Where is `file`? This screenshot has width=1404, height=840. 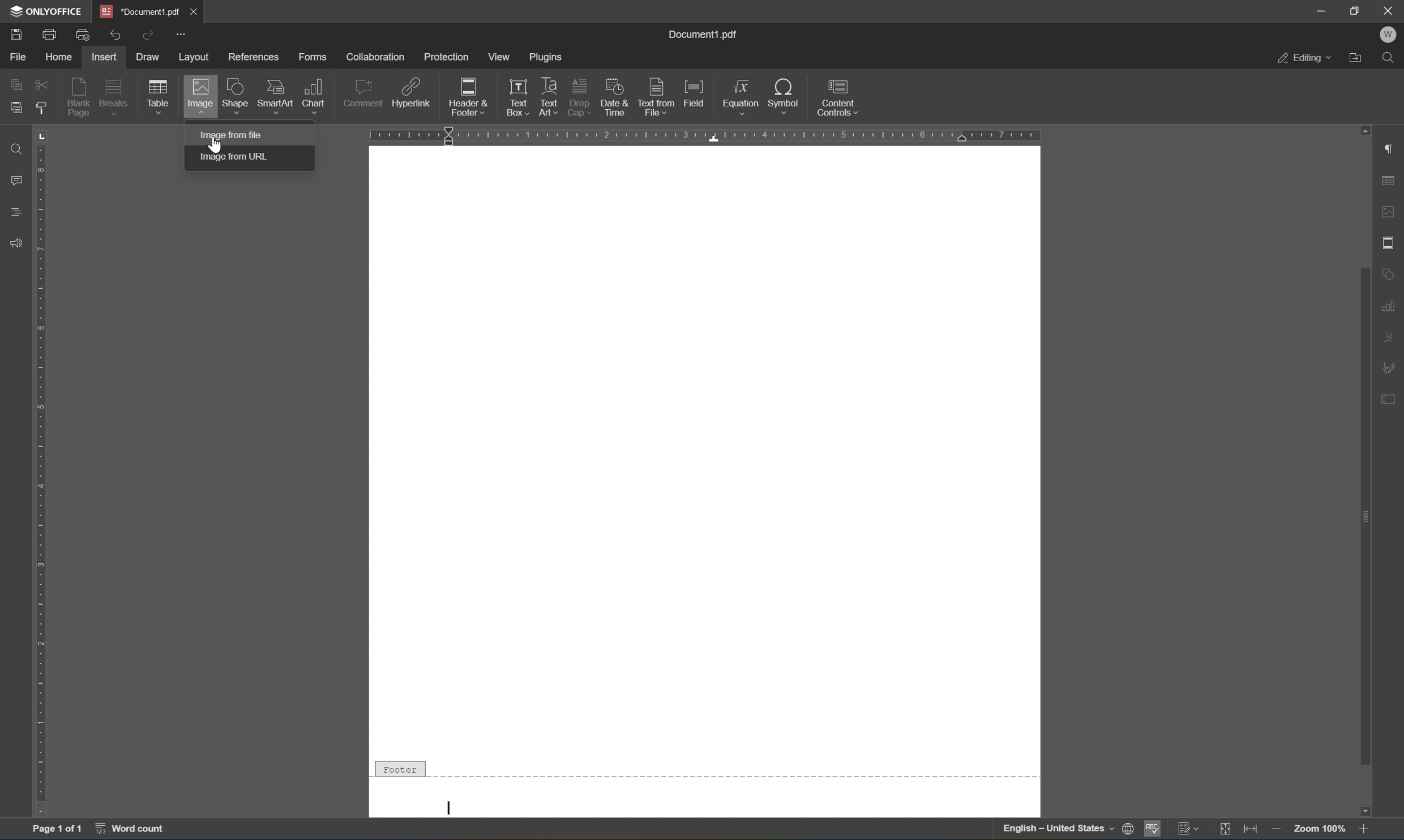
file is located at coordinates (14, 57).